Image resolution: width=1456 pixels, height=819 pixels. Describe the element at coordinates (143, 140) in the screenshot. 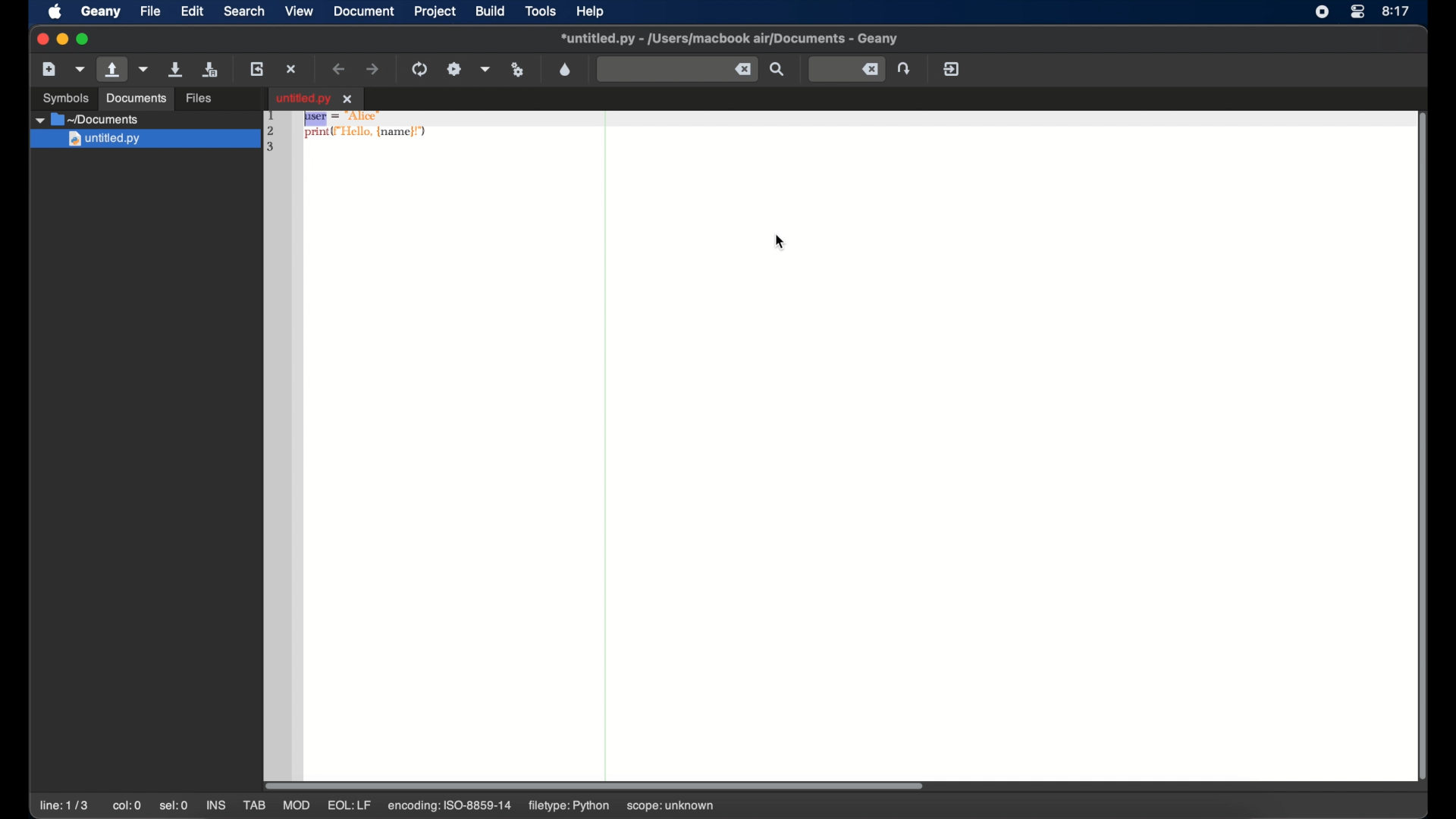

I see `` at that location.